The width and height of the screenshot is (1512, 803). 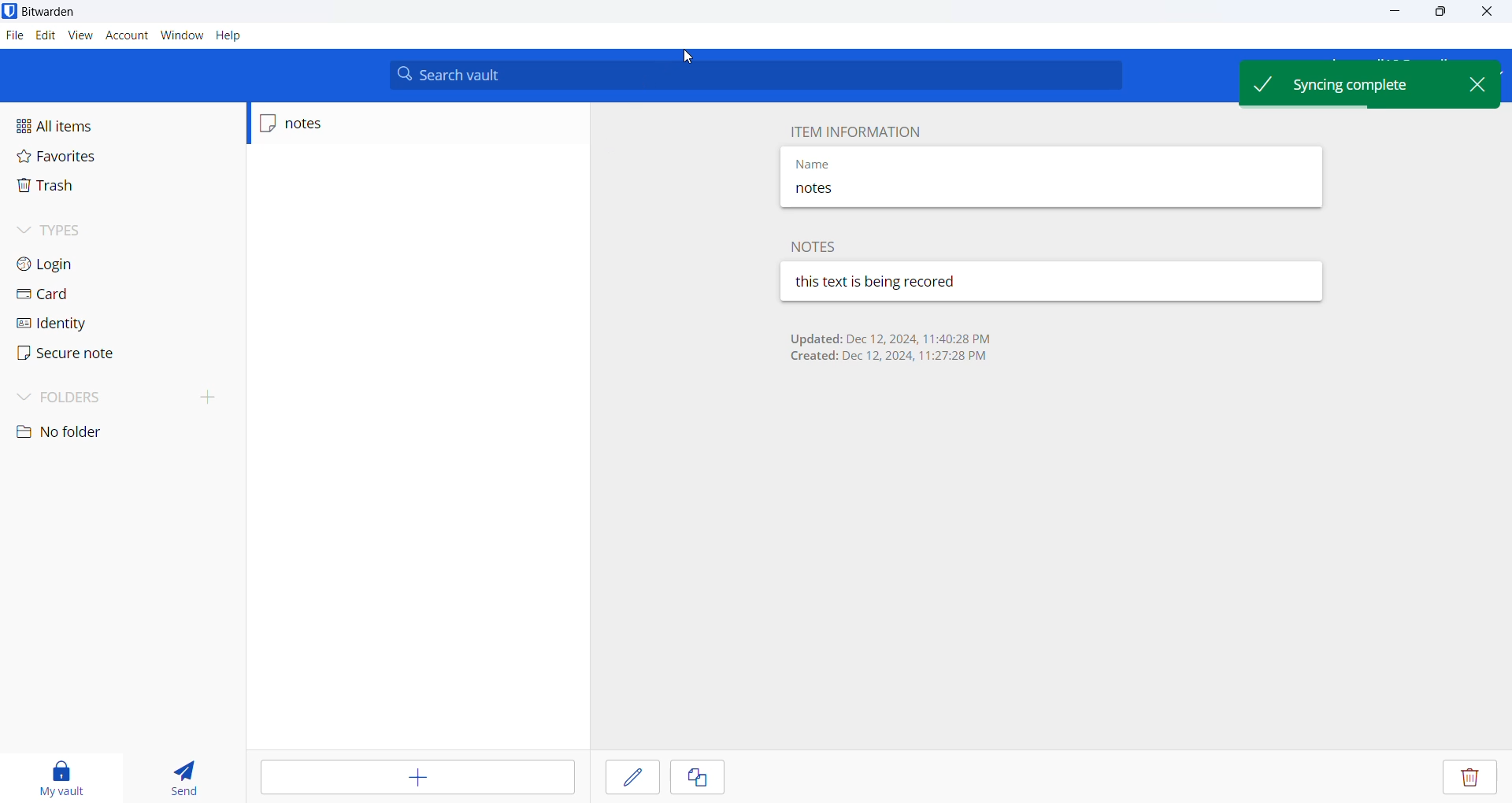 I want to click on close popup, so click(x=1477, y=82).